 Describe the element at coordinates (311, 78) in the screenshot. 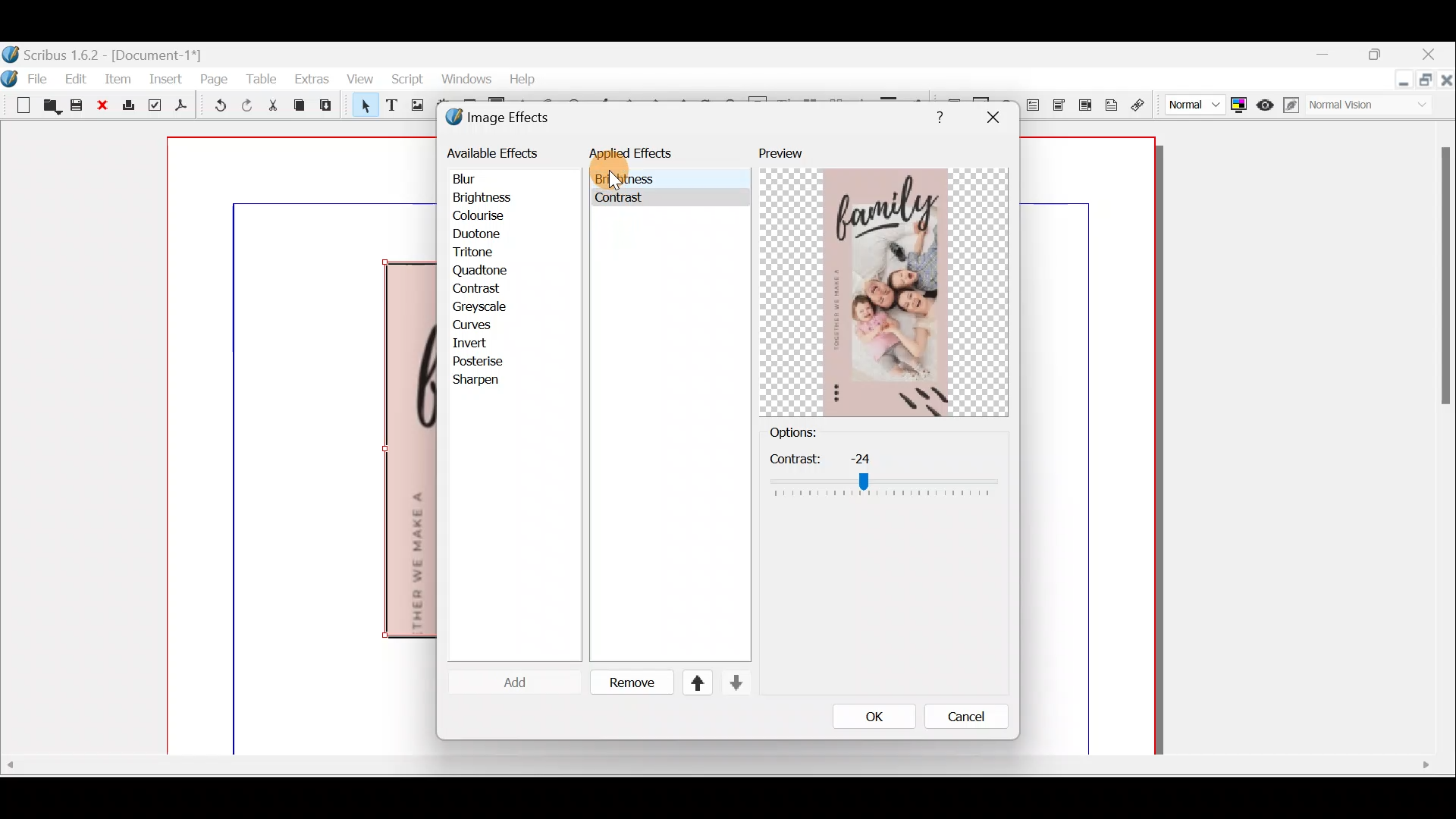

I see `Extras` at that location.